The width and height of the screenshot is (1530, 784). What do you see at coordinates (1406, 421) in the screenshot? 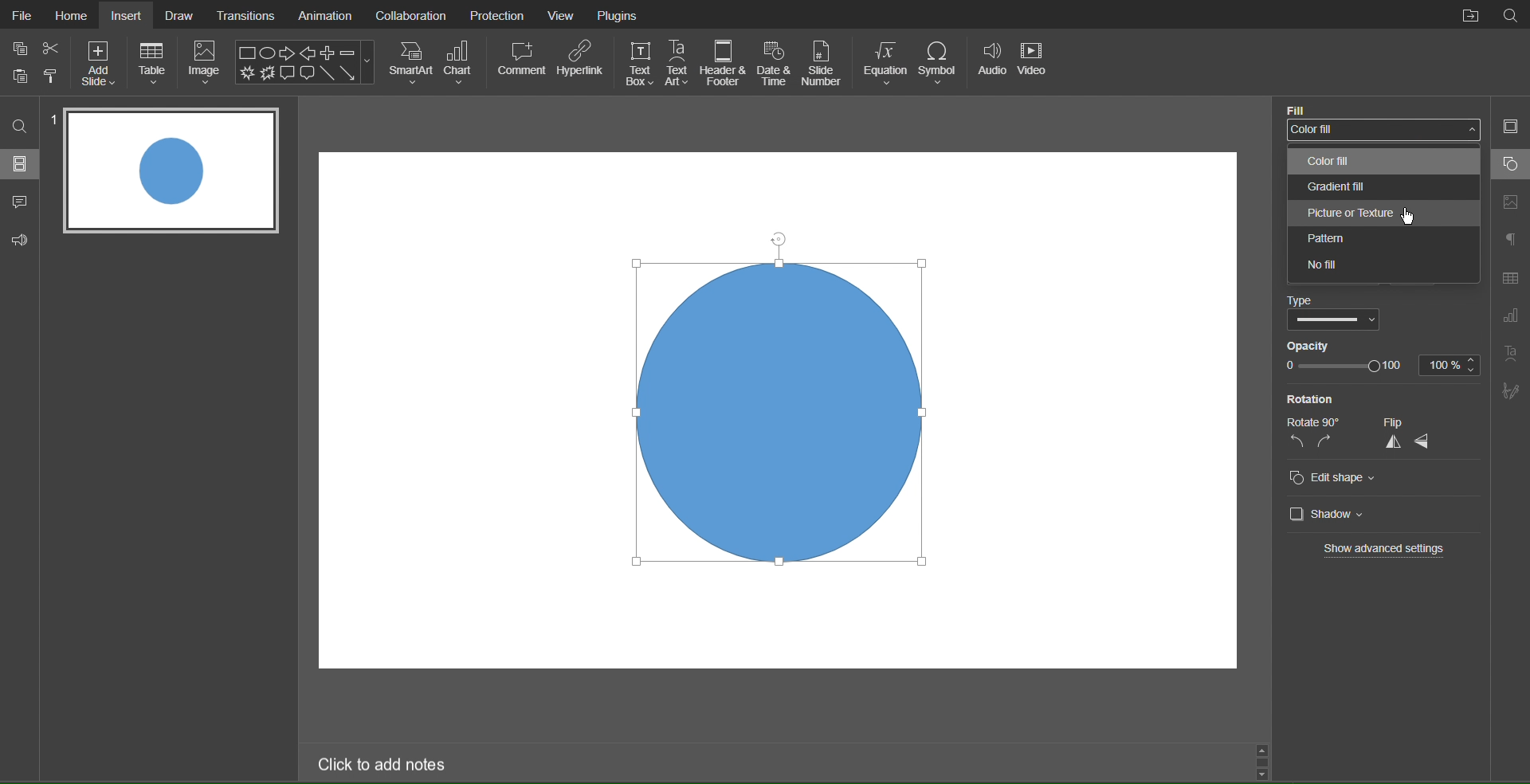
I see `flip` at bounding box center [1406, 421].